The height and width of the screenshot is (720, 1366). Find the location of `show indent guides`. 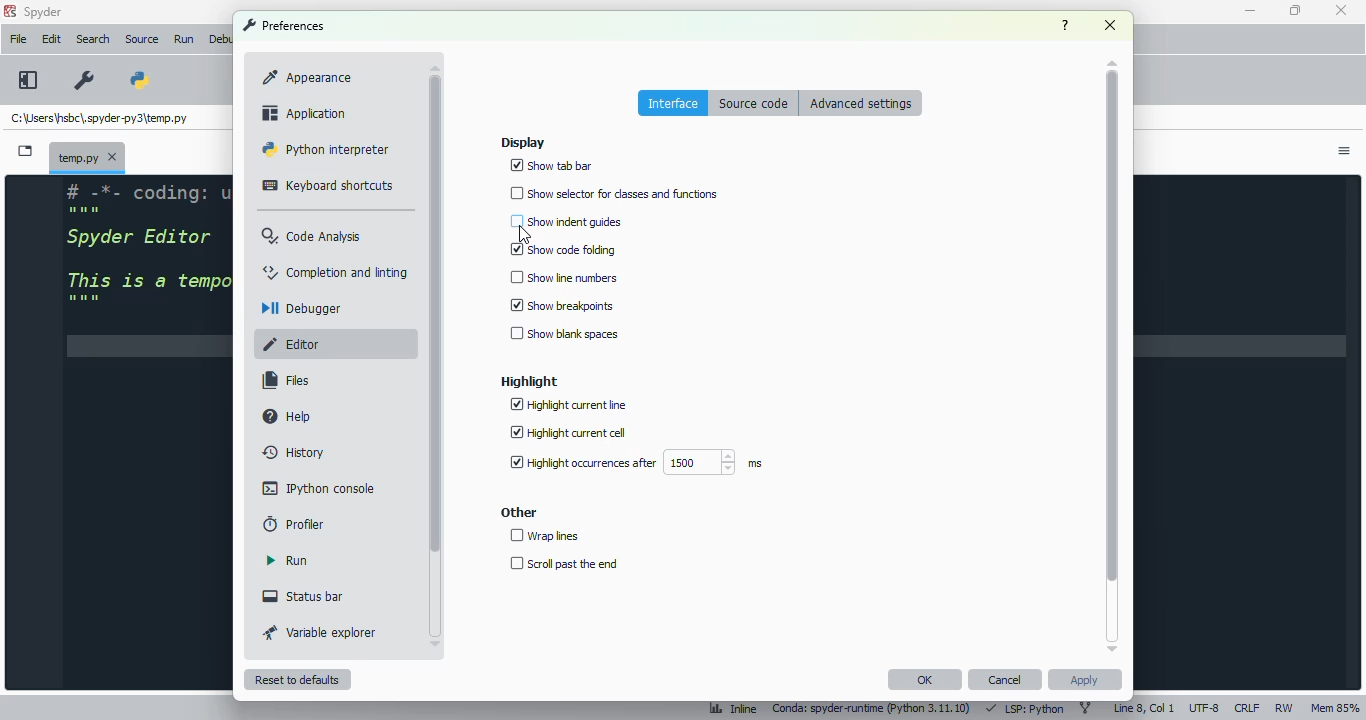

show indent guides is located at coordinates (567, 221).